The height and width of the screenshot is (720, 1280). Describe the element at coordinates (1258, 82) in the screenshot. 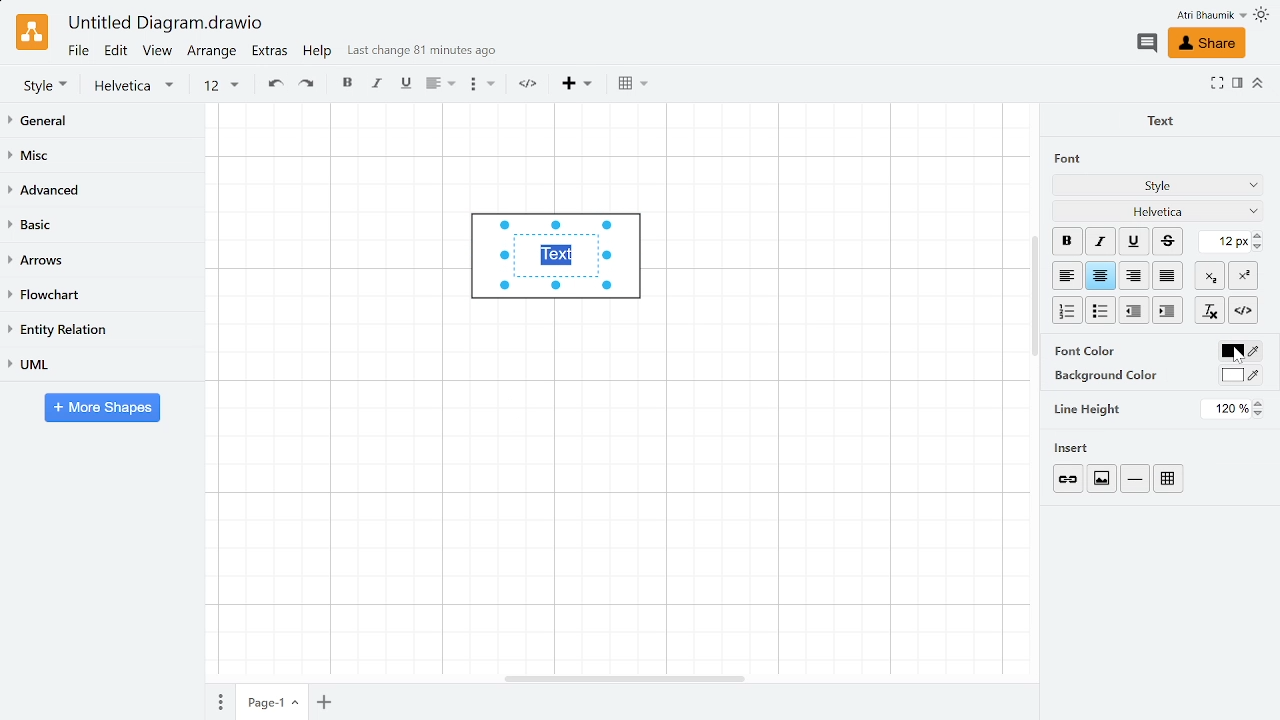

I see `collapse` at that location.